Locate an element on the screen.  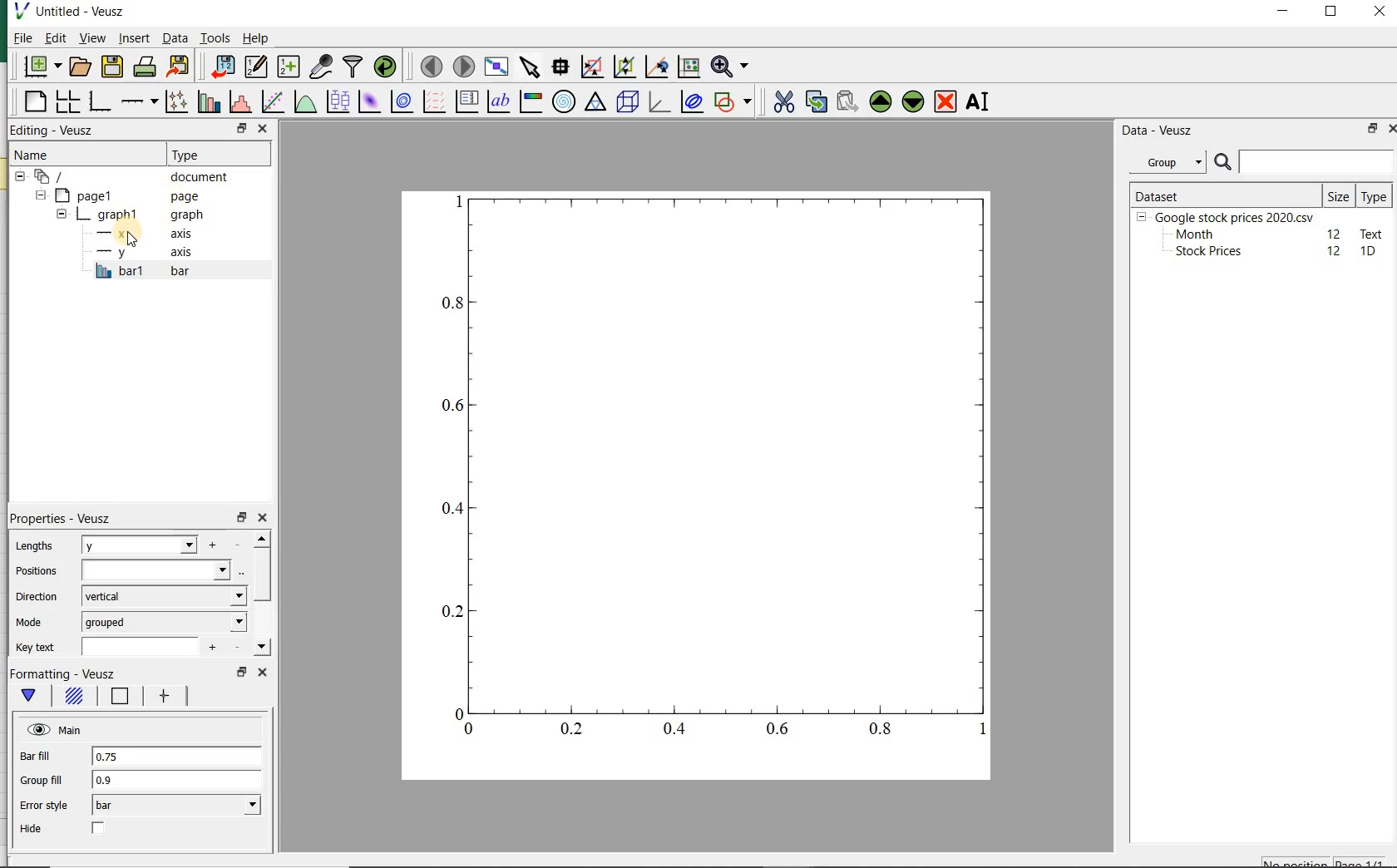
read data points on the graph is located at coordinates (559, 67).